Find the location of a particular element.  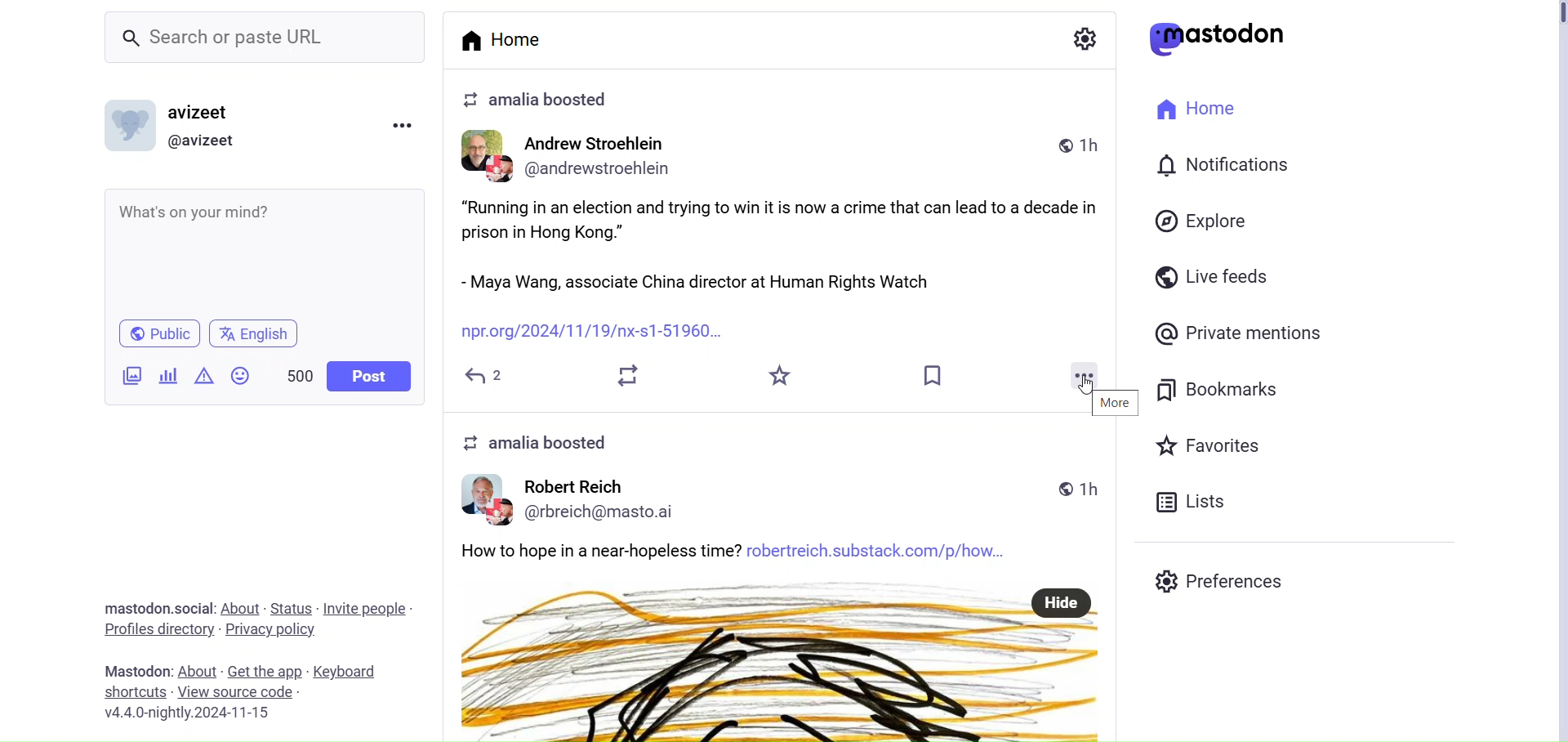

Preferences is located at coordinates (1220, 581).